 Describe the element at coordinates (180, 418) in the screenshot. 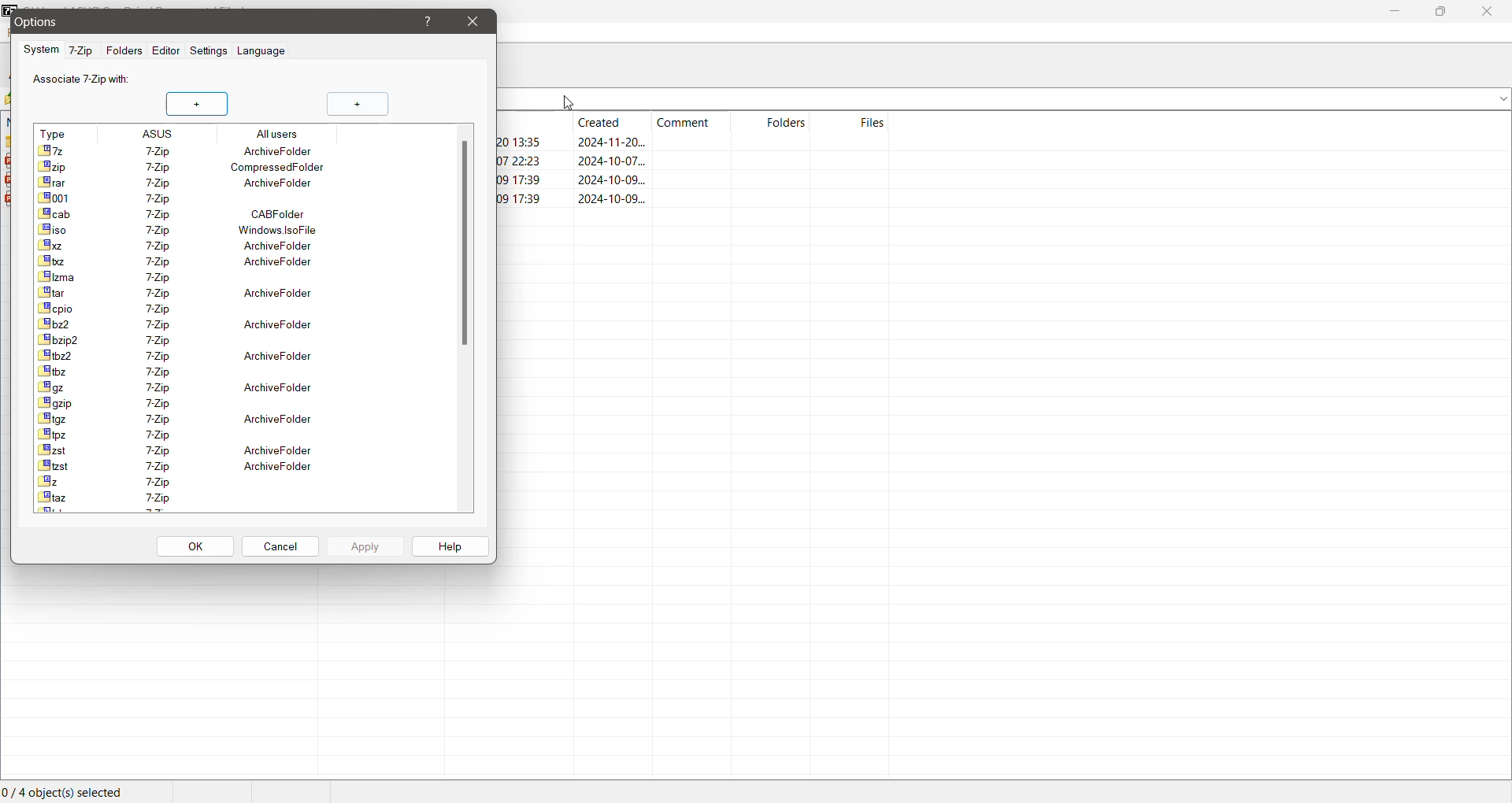

I see `Archived Folder` at that location.